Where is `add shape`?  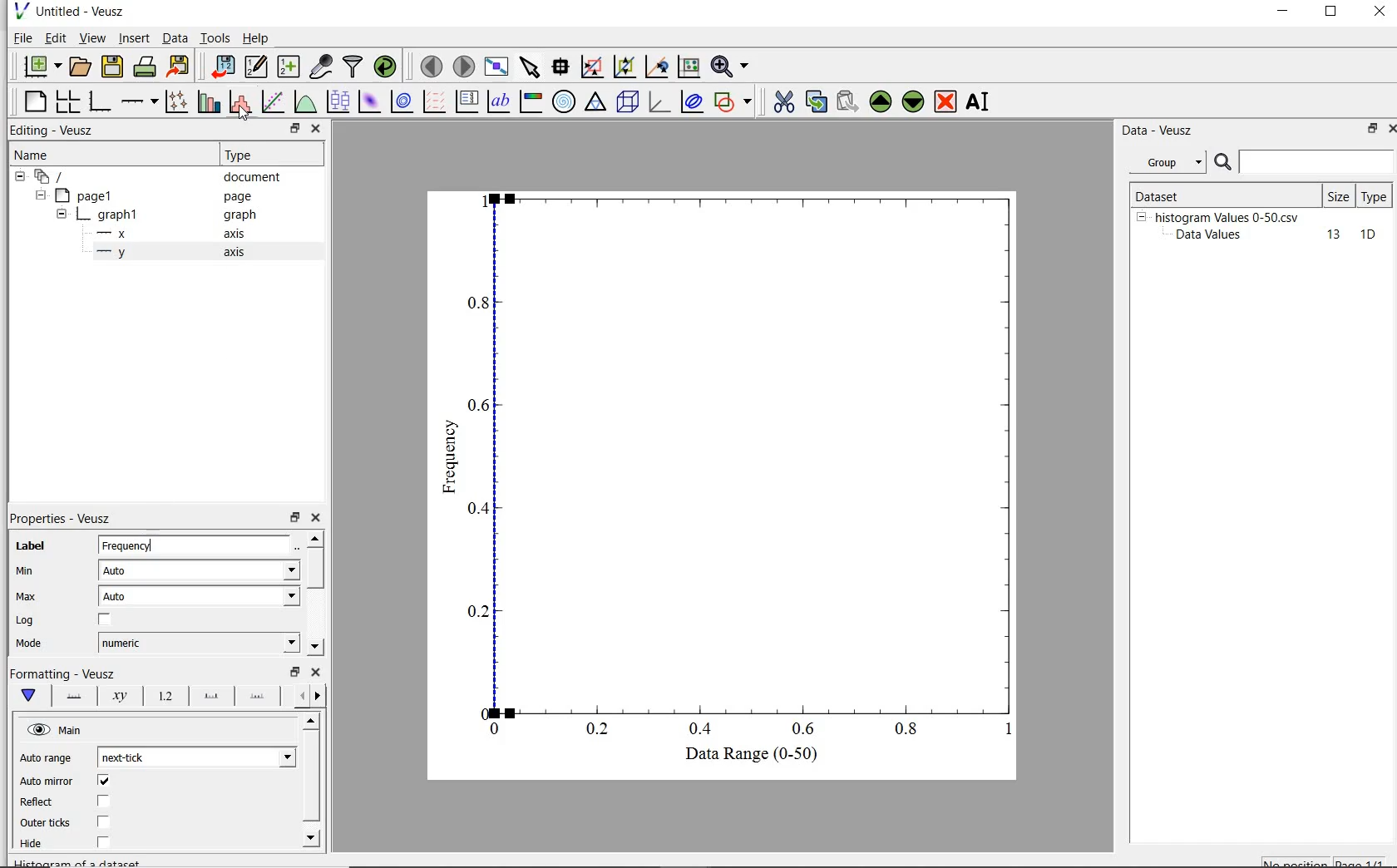 add shape is located at coordinates (733, 103).